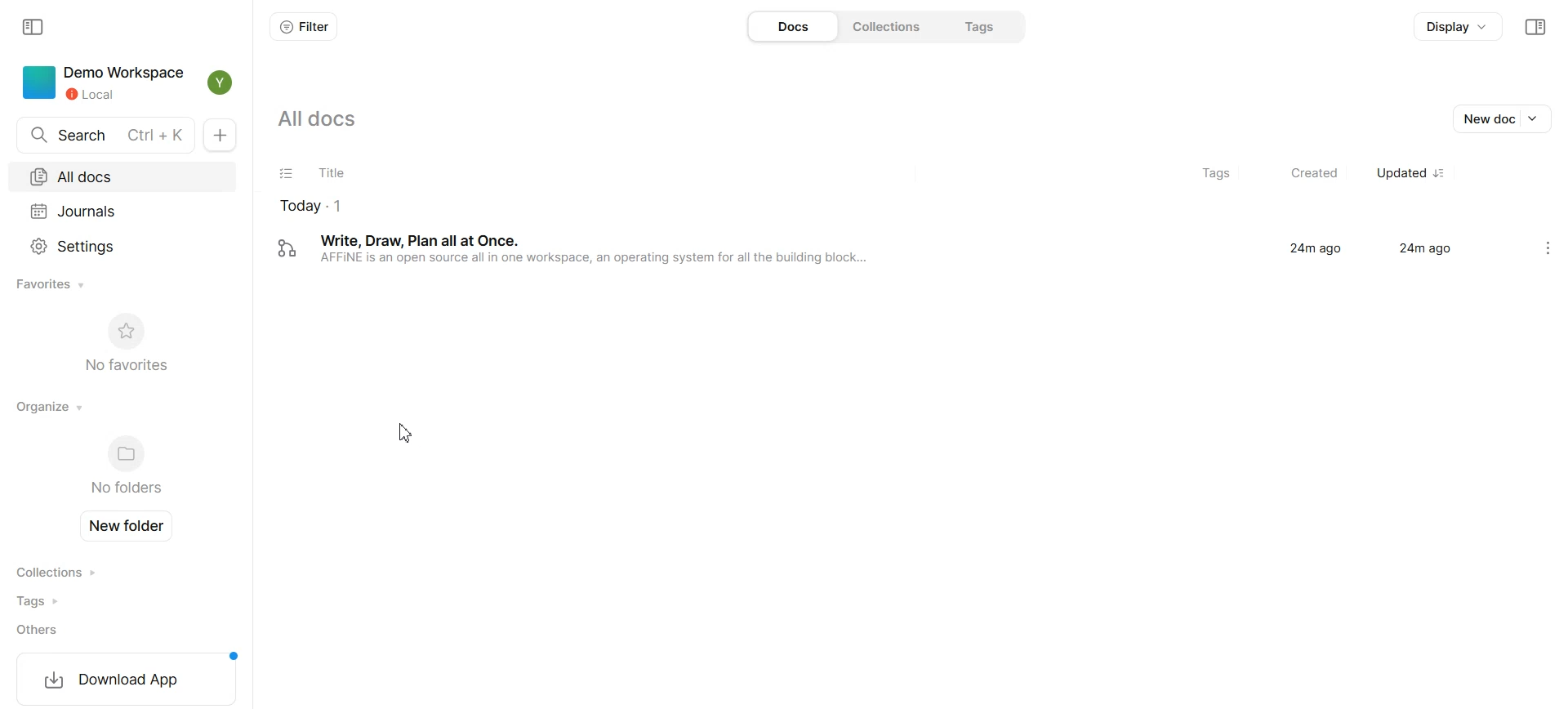 The width and height of the screenshot is (1568, 709). Describe the element at coordinates (1505, 118) in the screenshot. I see `New doc` at that location.